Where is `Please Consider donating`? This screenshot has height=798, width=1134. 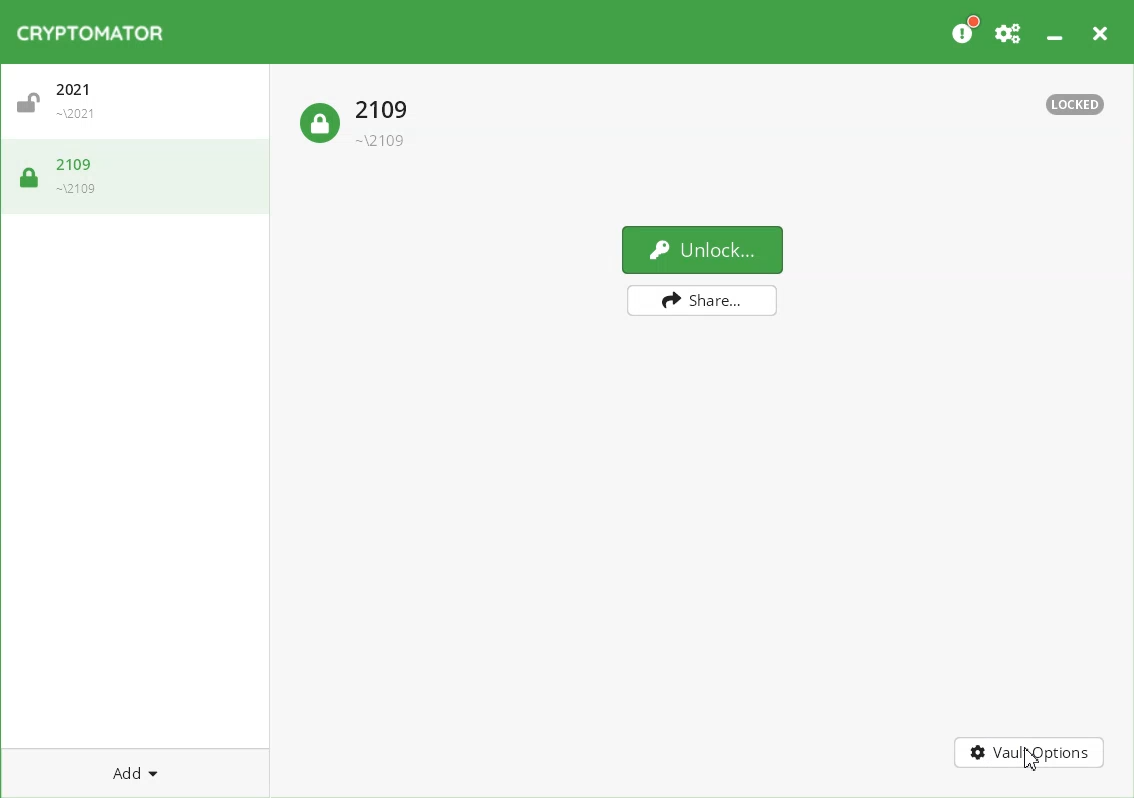 Please Consider donating is located at coordinates (965, 31).